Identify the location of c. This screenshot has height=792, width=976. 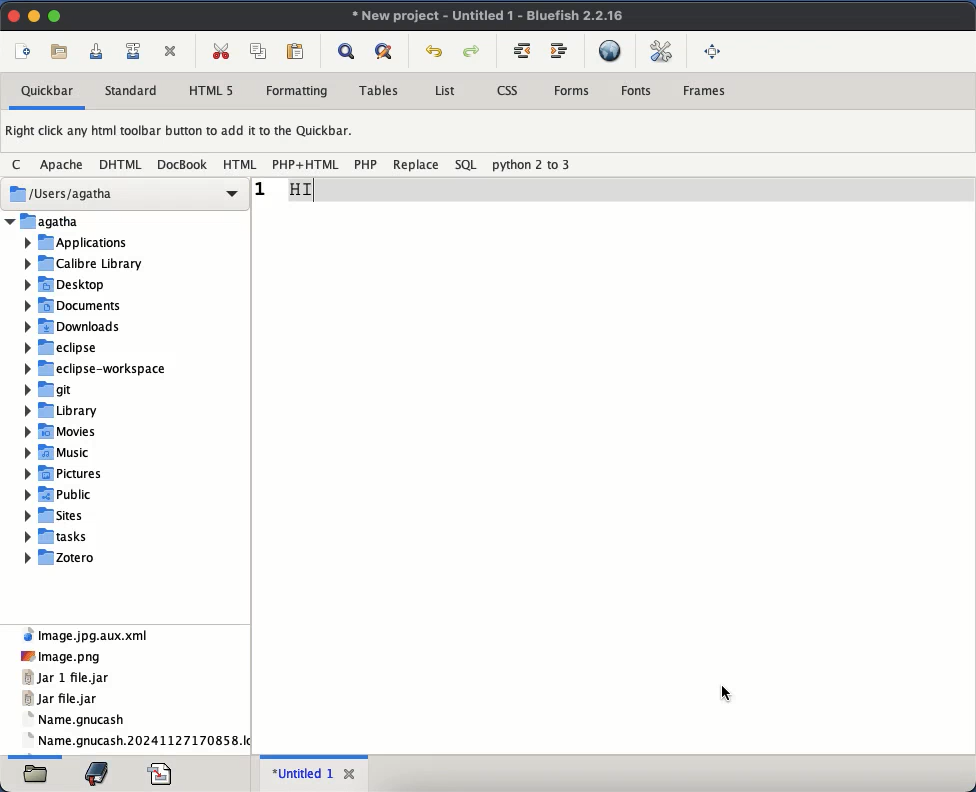
(19, 165).